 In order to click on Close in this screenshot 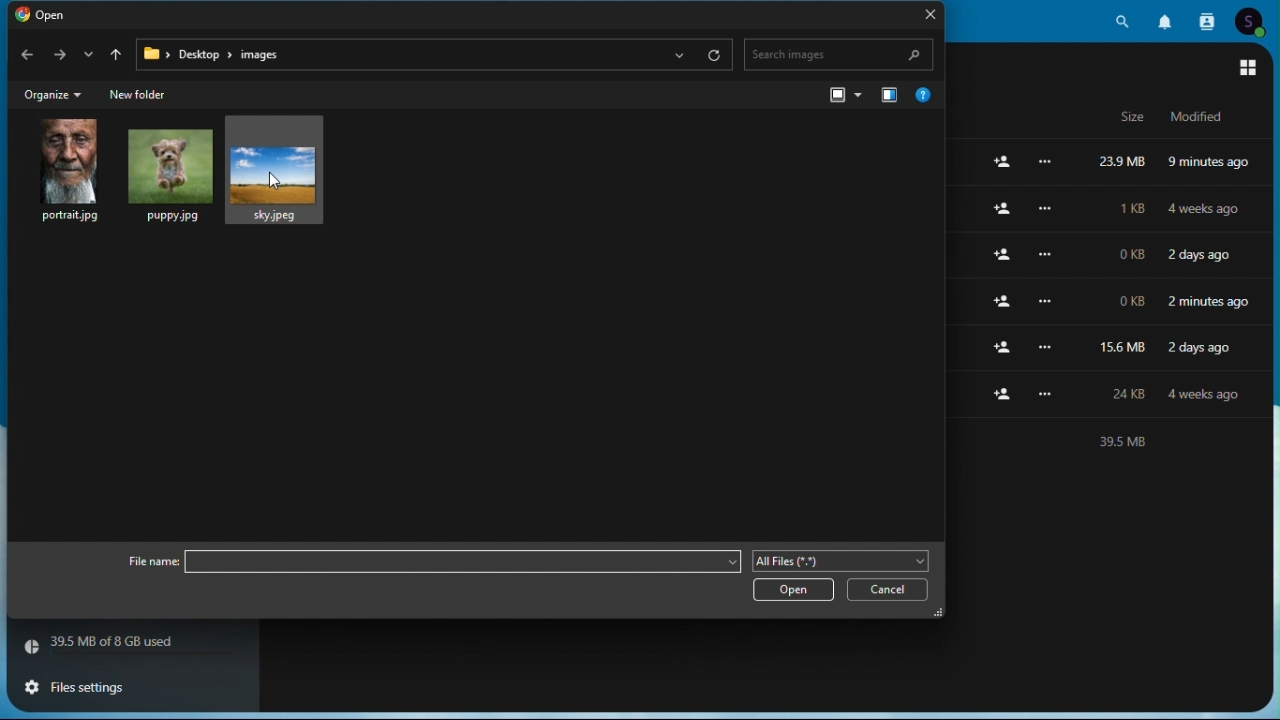, I will do `click(924, 17)`.